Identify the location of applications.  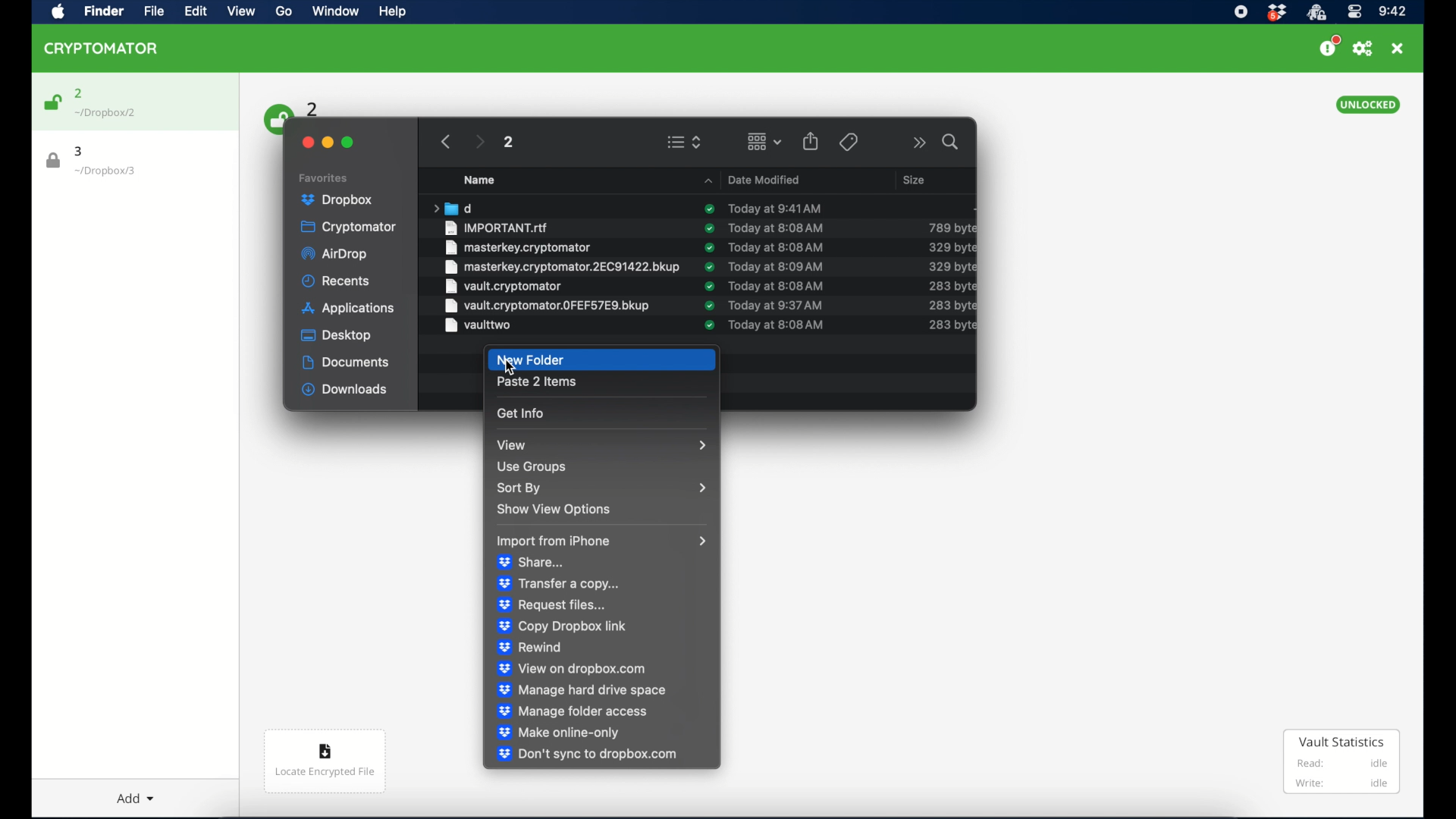
(348, 309).